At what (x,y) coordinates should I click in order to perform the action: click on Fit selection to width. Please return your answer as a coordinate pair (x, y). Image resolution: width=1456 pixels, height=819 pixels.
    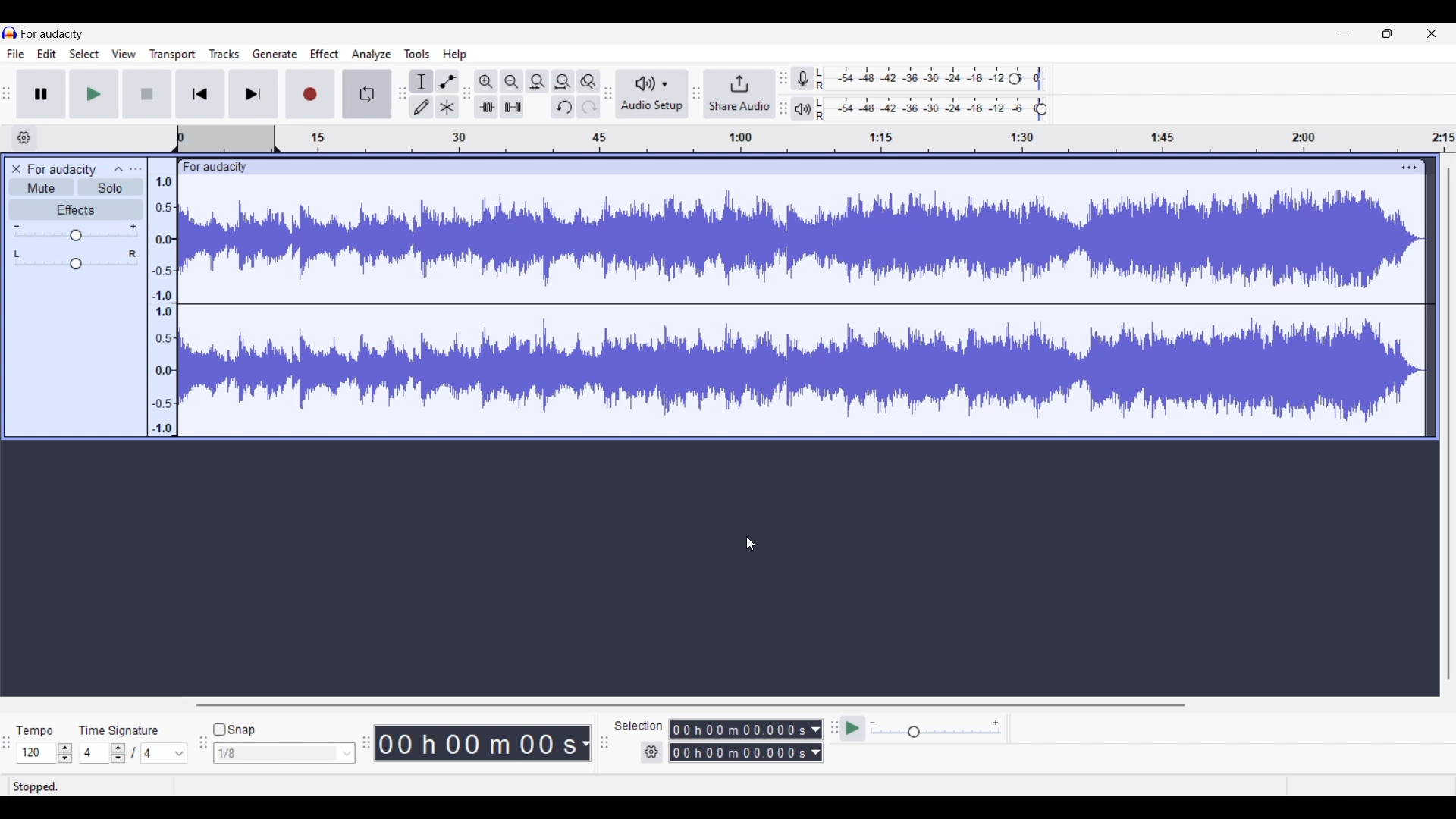
    Looking at the image, I should click on (537, 81).